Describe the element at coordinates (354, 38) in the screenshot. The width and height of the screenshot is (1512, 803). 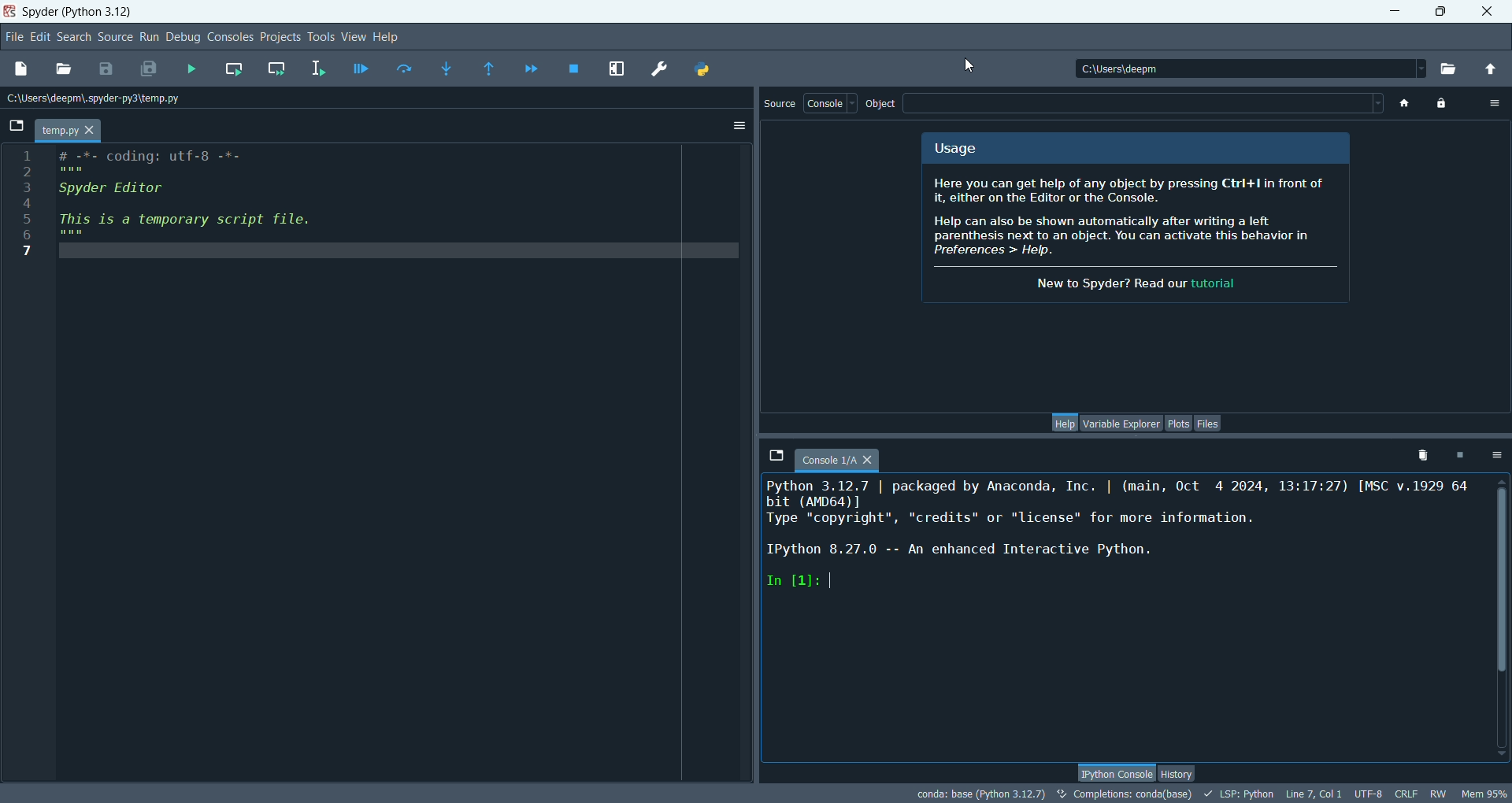
I see `view` at that location.